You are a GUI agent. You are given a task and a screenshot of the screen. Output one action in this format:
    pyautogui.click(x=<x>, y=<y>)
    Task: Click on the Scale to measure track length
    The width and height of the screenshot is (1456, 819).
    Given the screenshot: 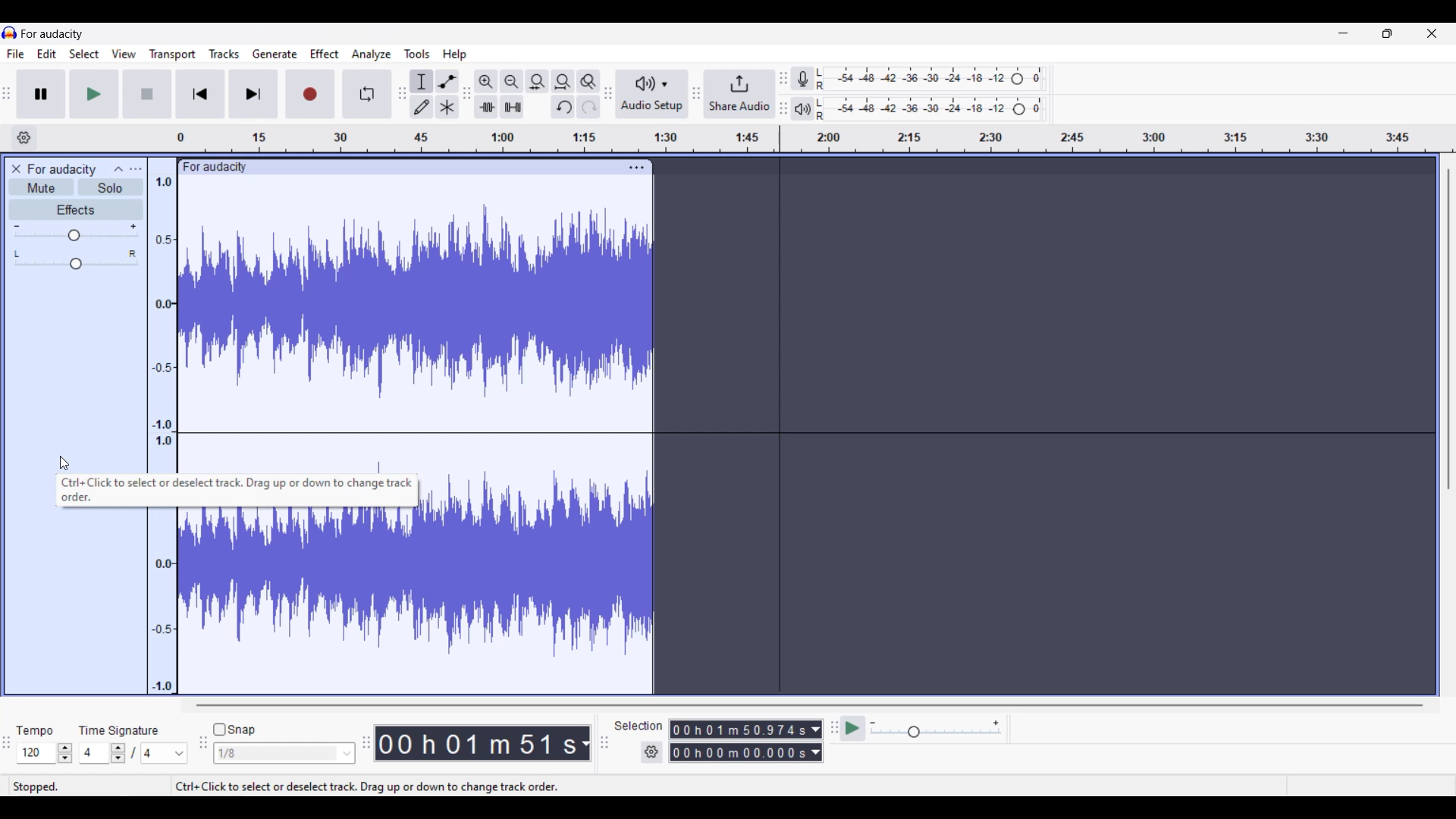 What is the action you would take?
    pyautogui.click(x=815, y=139)
    